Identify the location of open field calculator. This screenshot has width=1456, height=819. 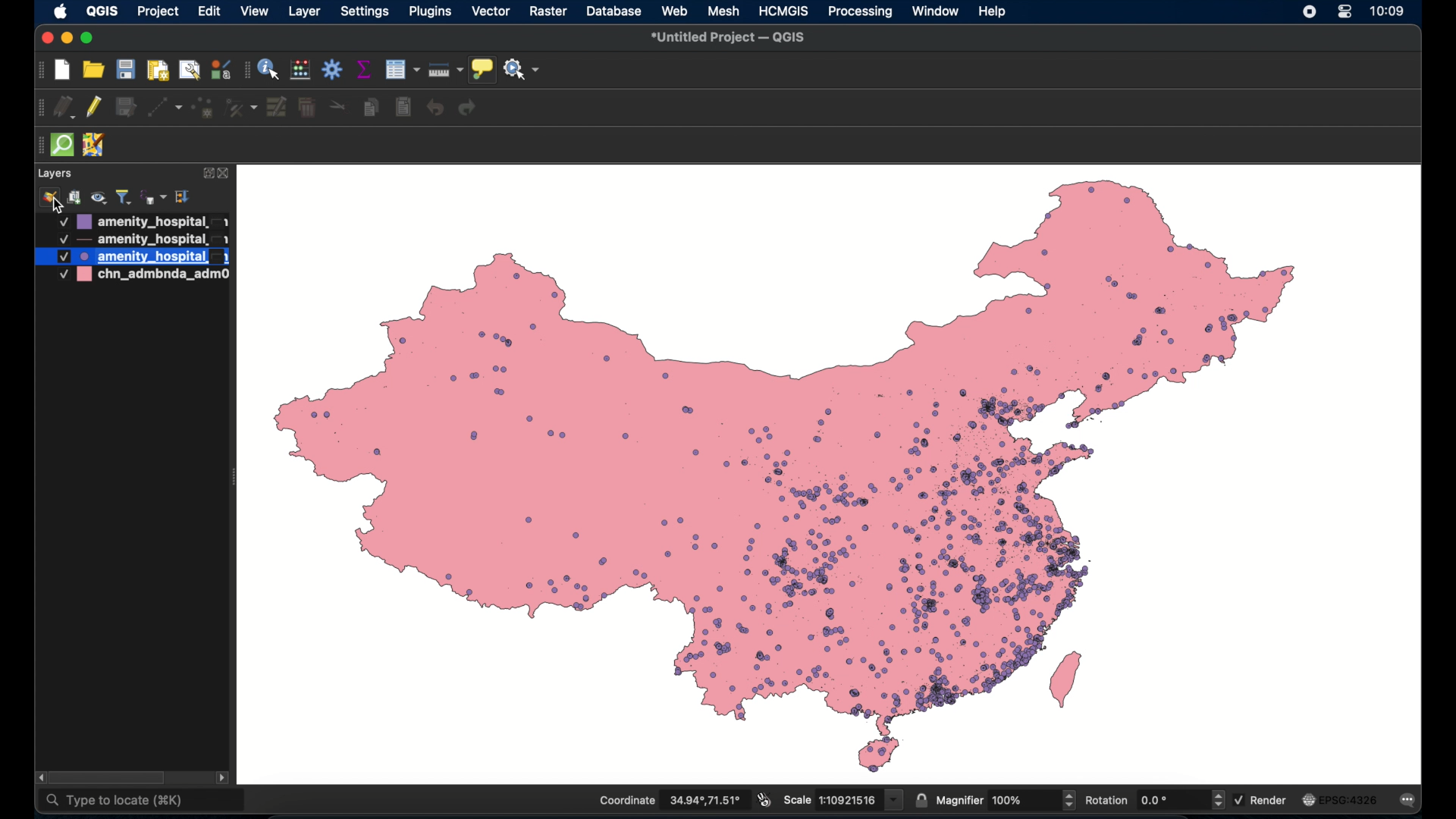
(300, 69).